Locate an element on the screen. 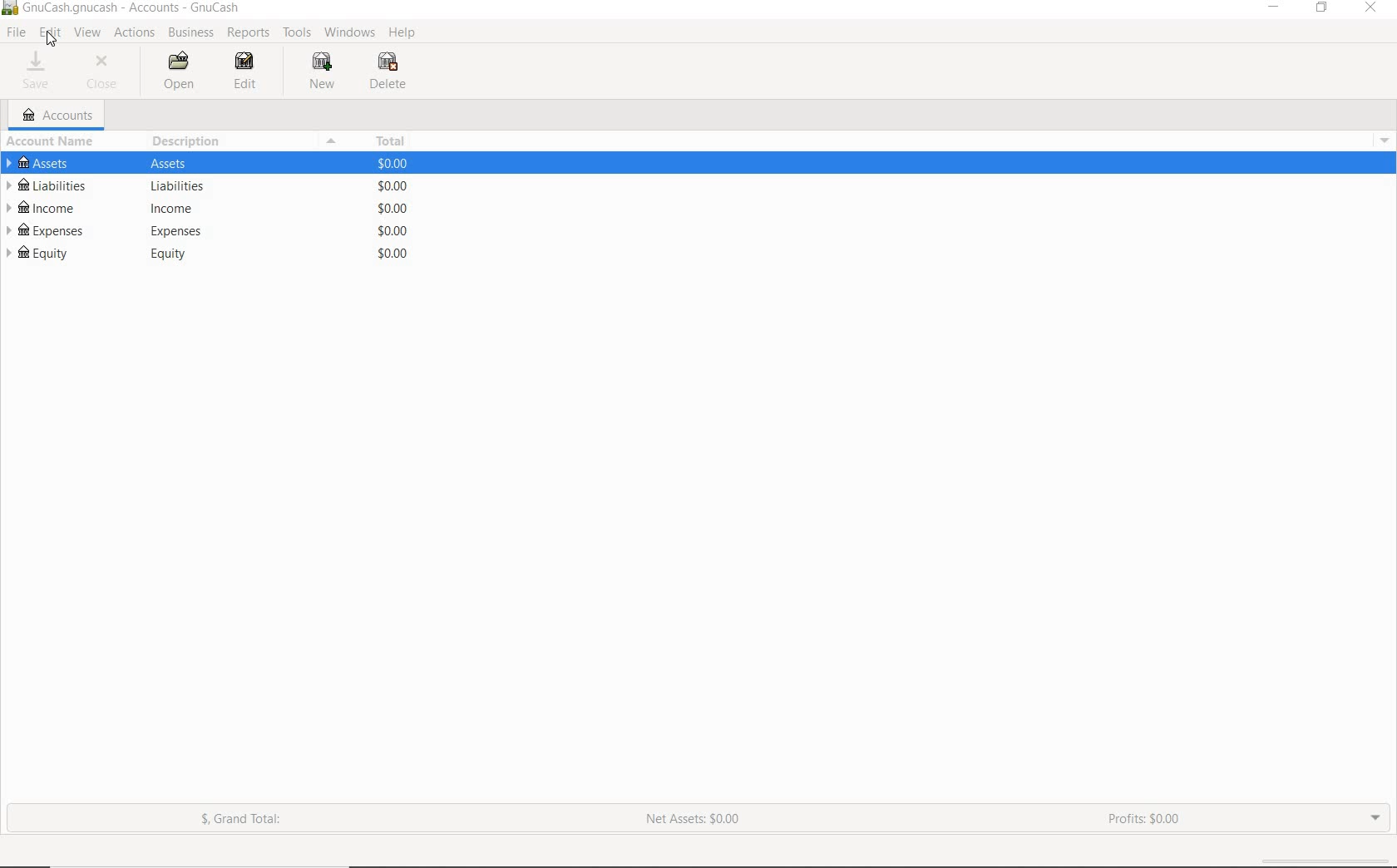  PROFIT is located at coordinates (1147, 820).